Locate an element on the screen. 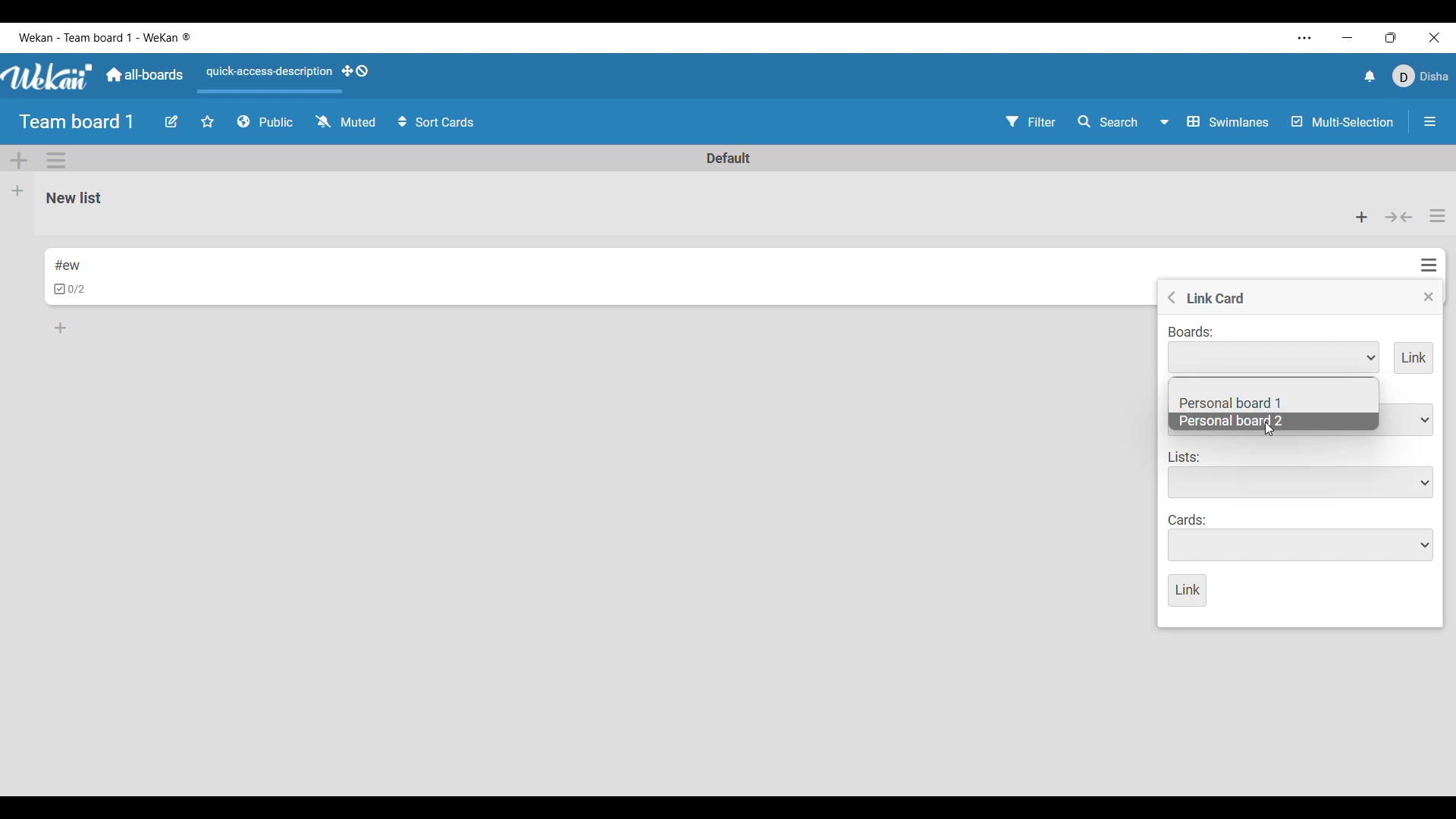 This screenshot has height=819, width=1456. Minimize is located at coordinates (1348, 37).